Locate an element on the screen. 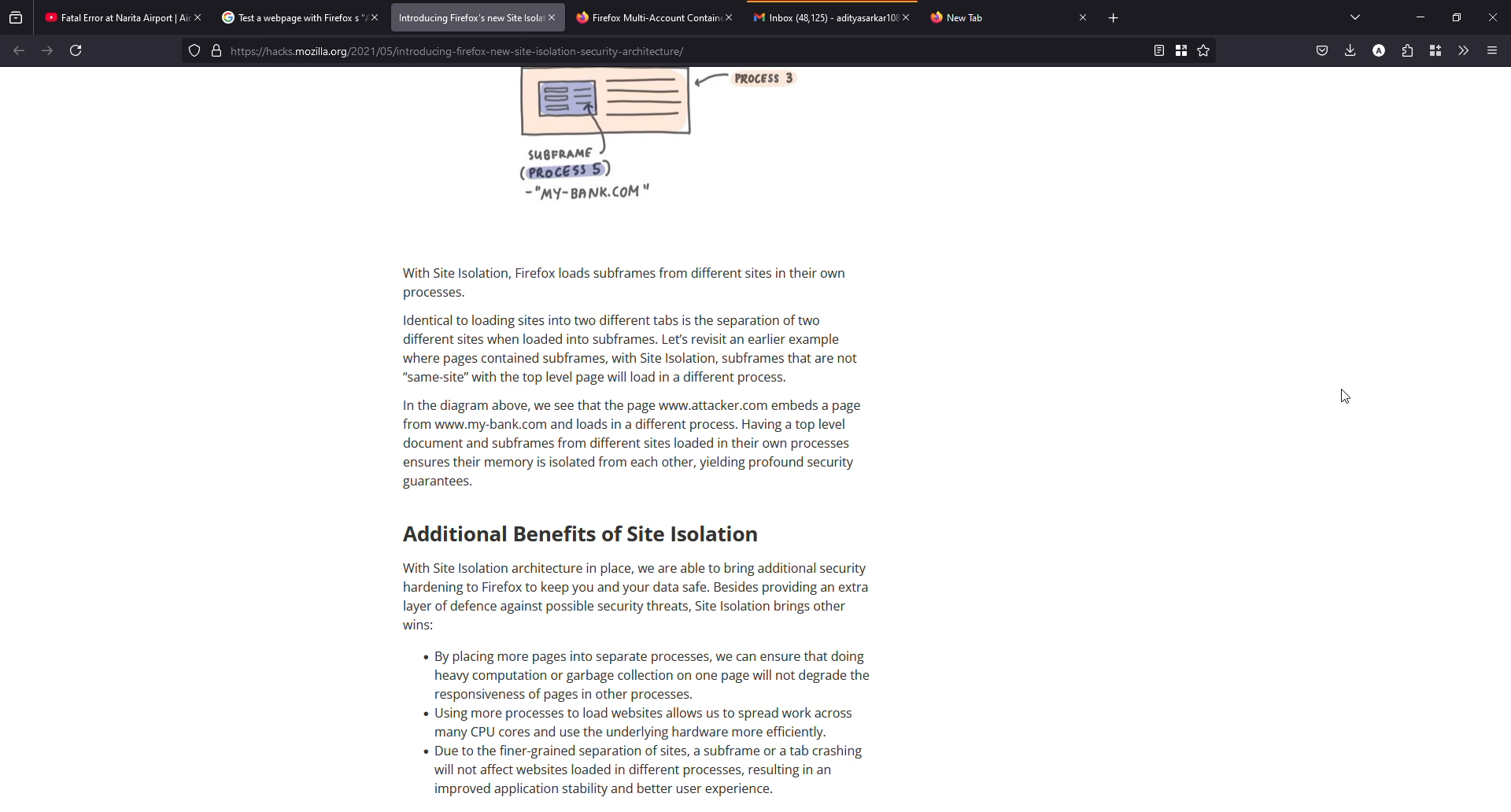  close is located at coordinates (1081, 17).